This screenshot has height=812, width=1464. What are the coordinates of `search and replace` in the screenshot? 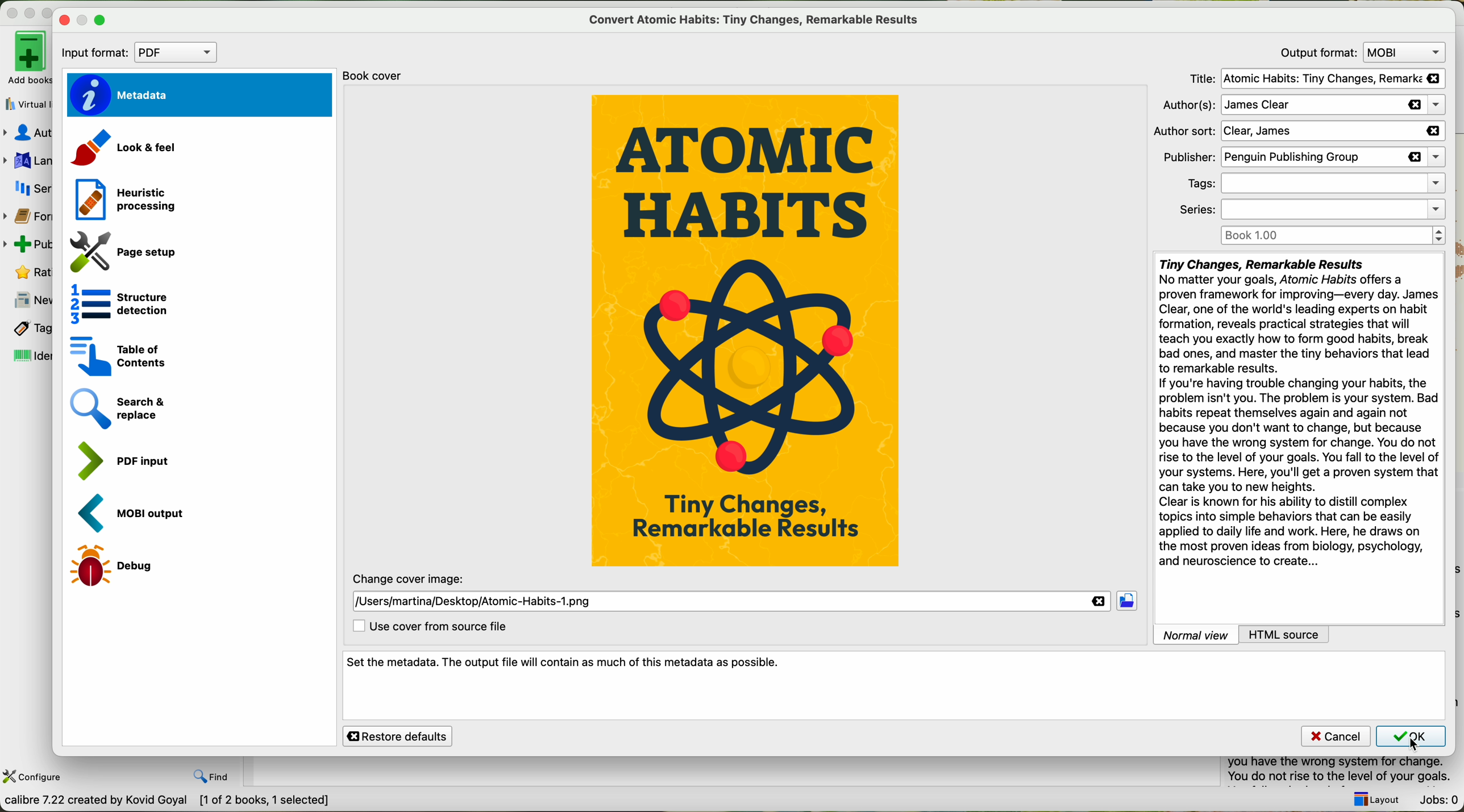 It's located at (120, 408).